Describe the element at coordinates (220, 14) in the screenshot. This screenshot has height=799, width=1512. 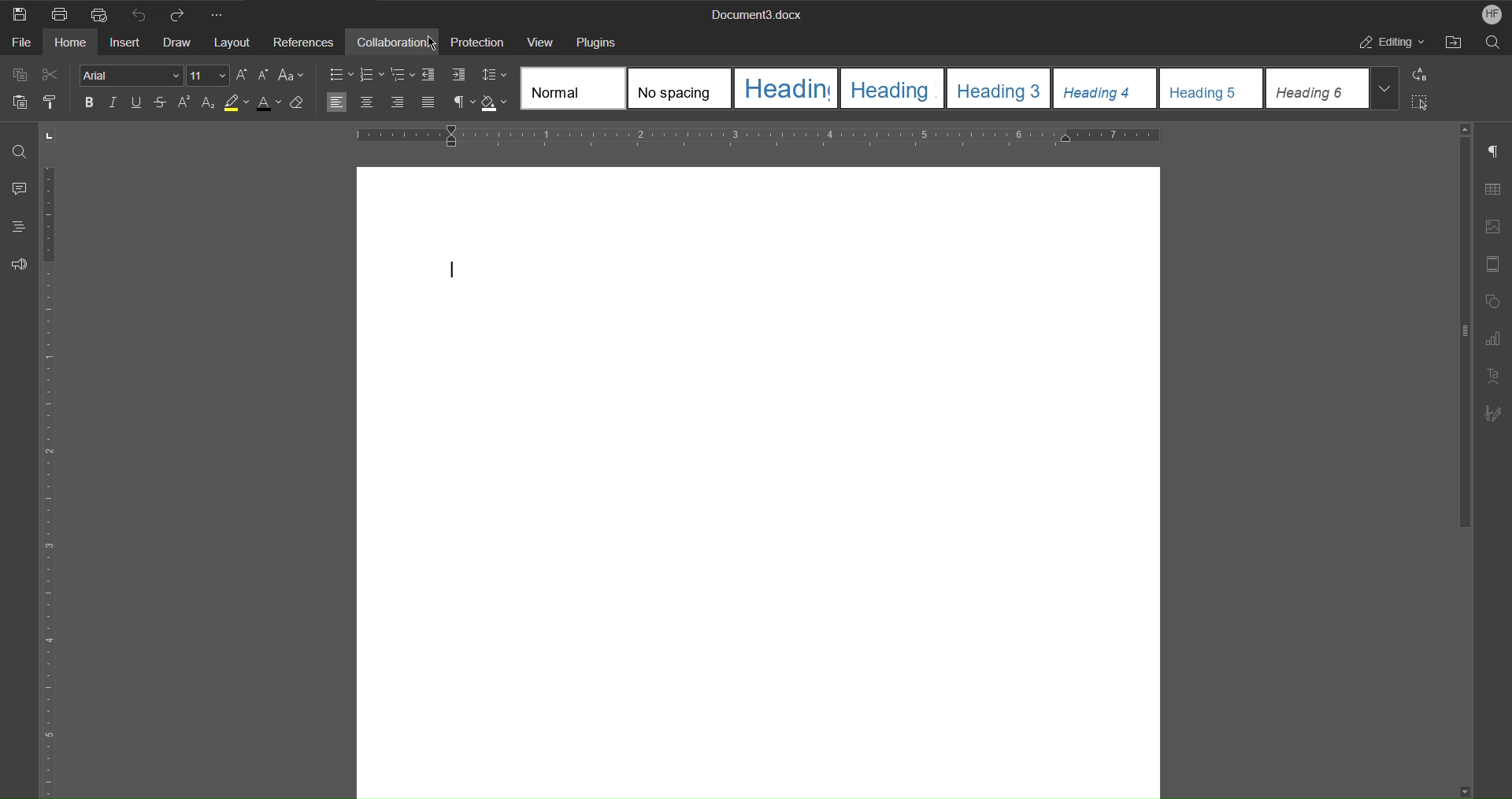
I see `More` at that location.